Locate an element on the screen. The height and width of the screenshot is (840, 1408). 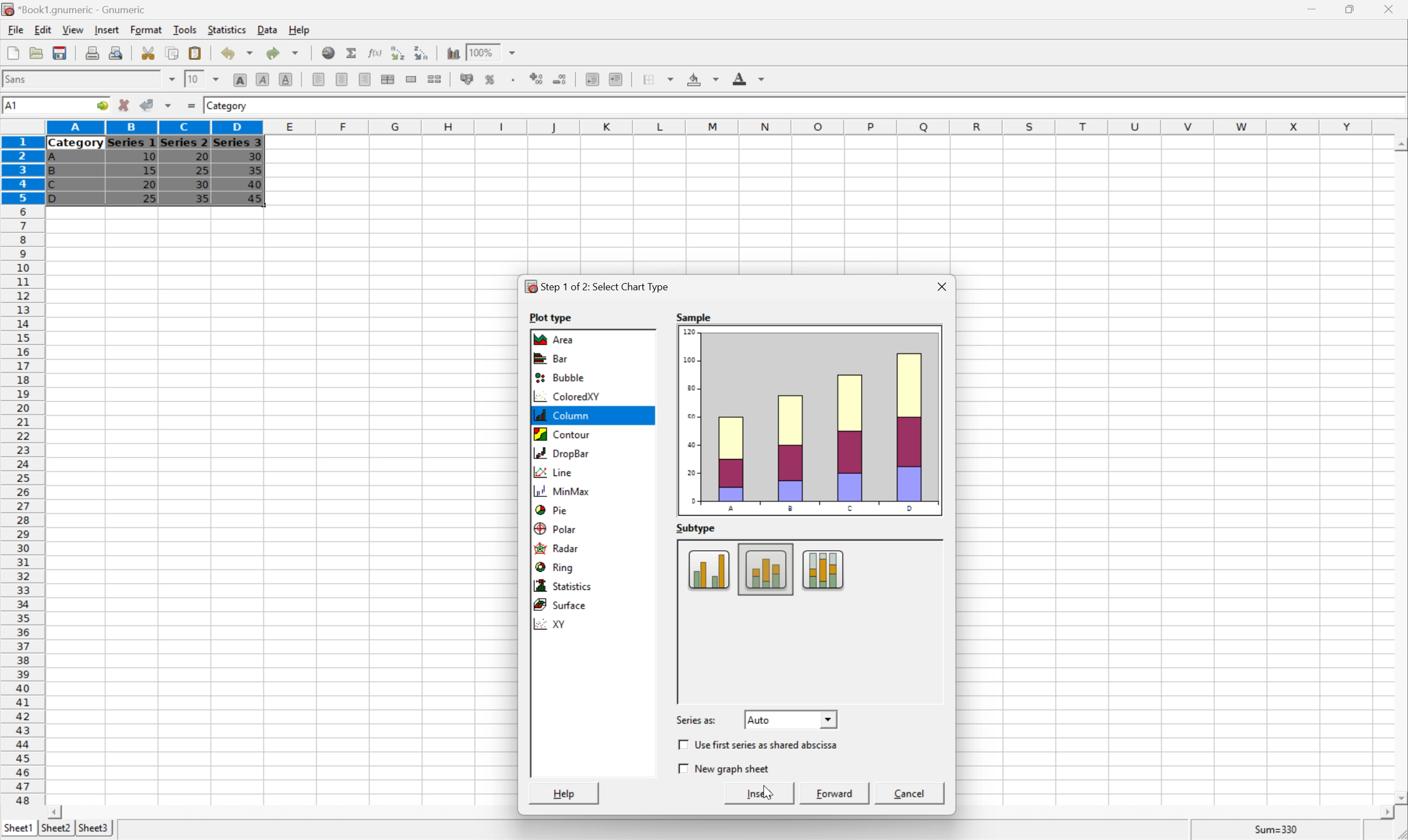
25 is located at coordinates (203, 170).